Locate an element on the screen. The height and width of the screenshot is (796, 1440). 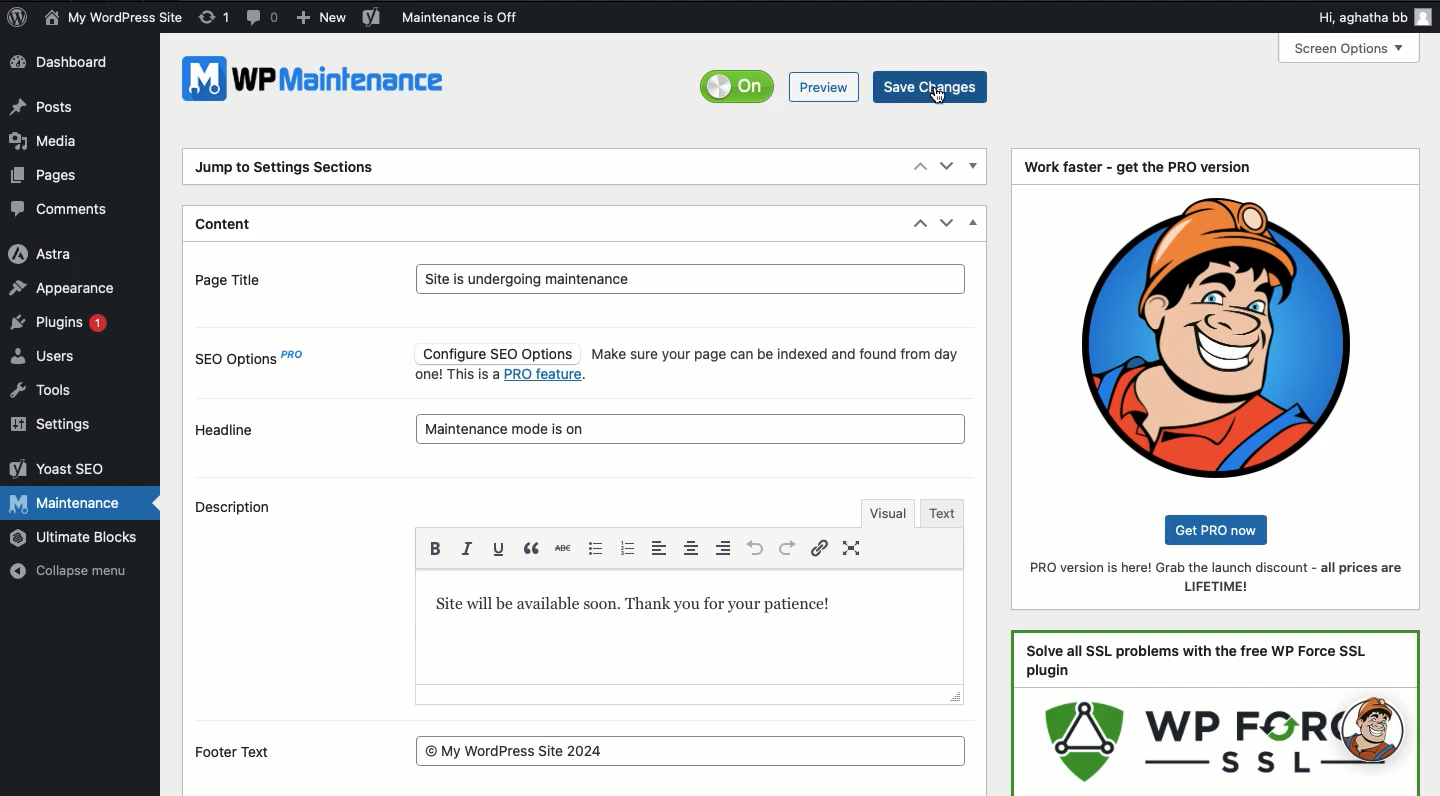
Site is undergoing maintenance is located at coordinates (690, 280).